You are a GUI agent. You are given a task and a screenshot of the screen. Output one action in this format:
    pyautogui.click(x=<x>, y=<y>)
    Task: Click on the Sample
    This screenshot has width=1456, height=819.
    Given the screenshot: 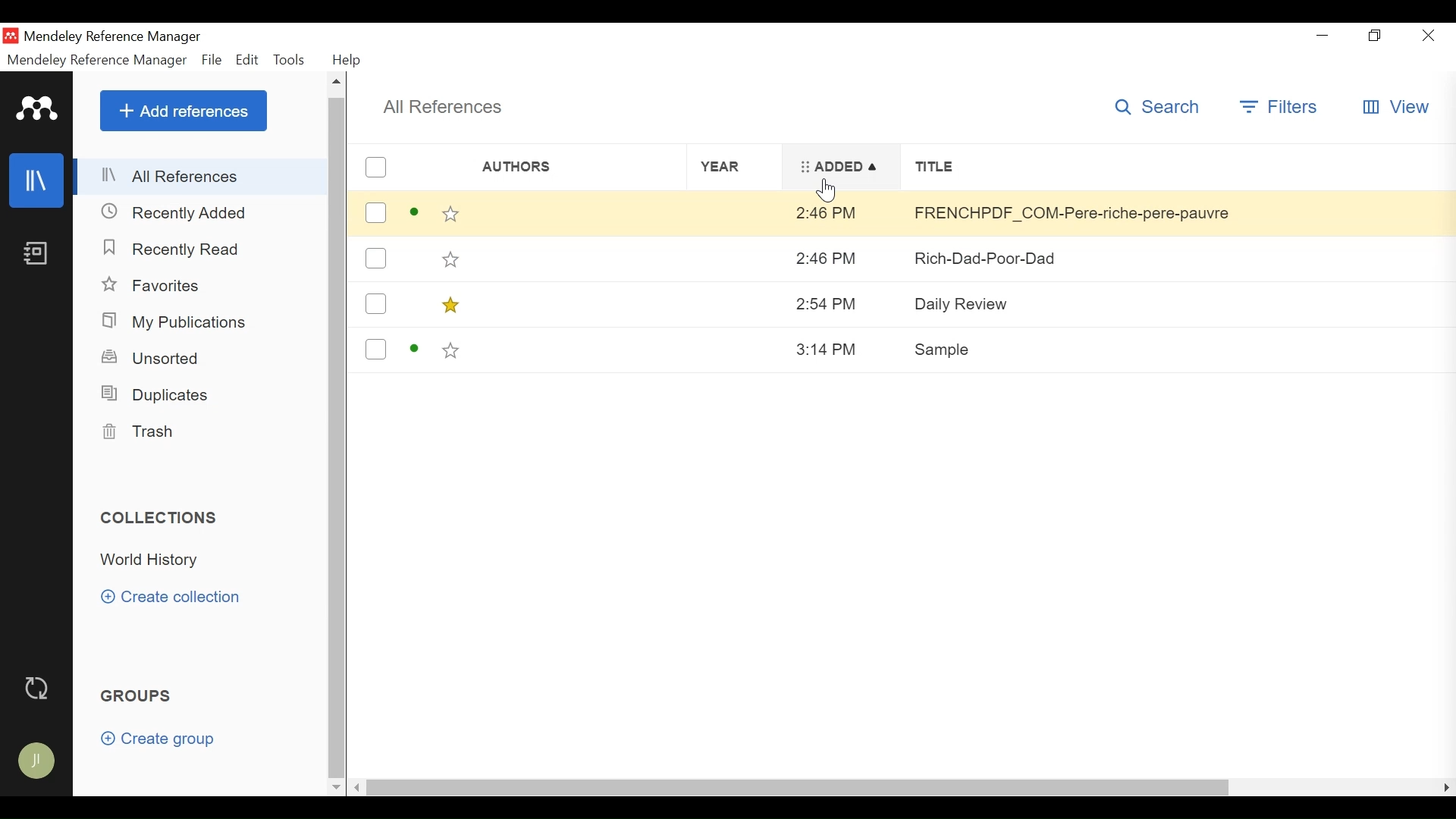 What is the action you would take?
    pyautogui.click(x=1177, y=347)
    